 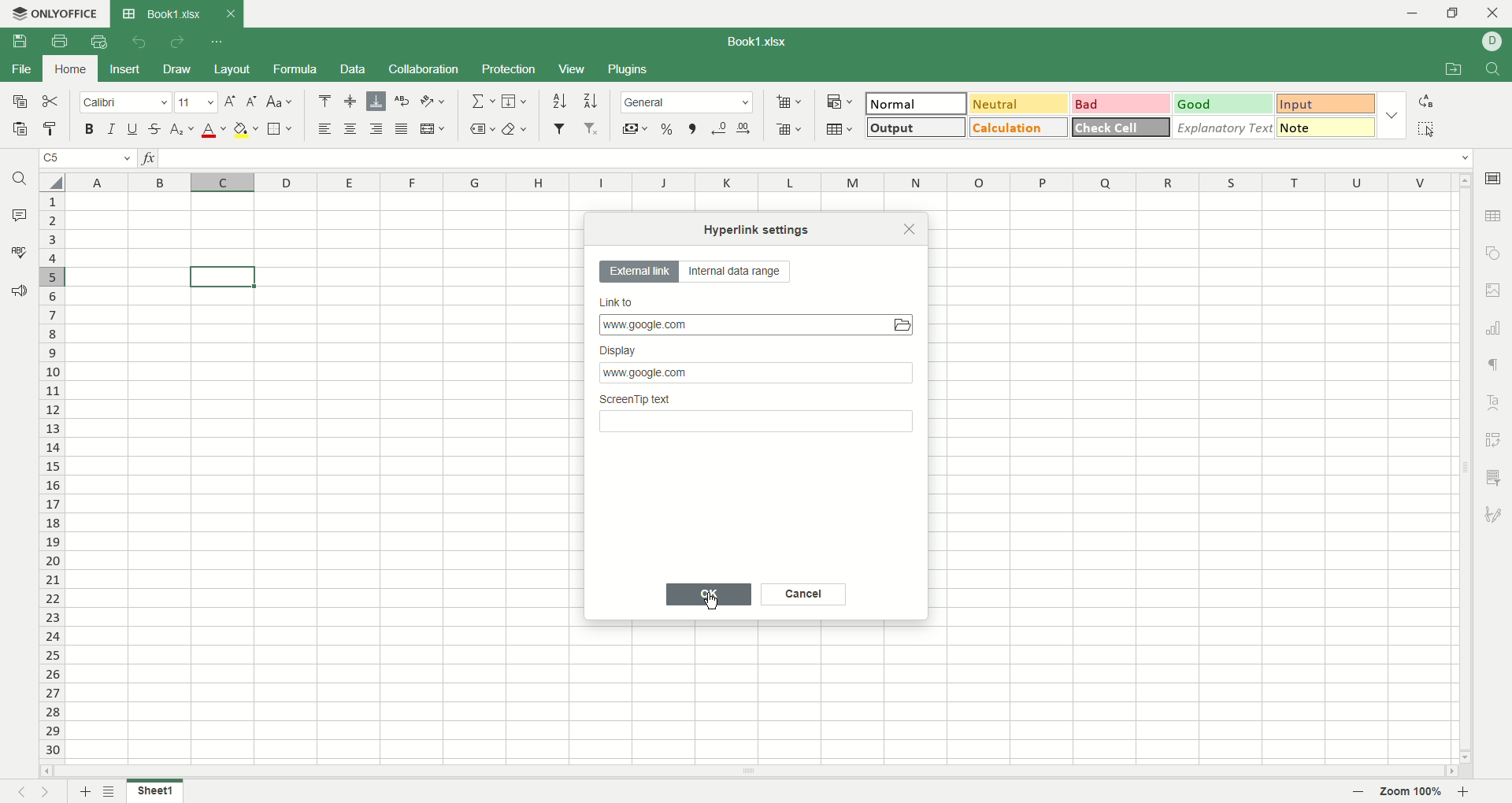 What do you see at coordinates (1492, 364) in the screenshot?
I see `paragraph settings` at bounding box center [1492, 364].